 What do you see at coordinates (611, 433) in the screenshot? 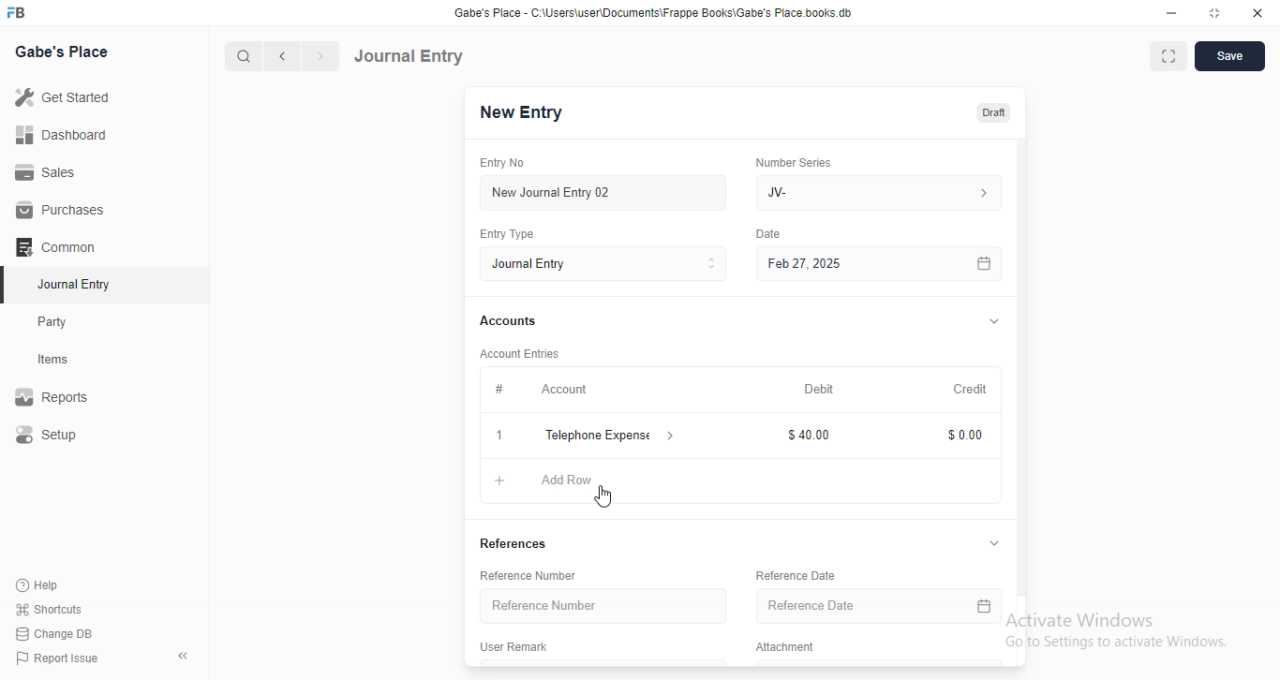
I see `Telephone Expense` at bounding box center [611, 433].